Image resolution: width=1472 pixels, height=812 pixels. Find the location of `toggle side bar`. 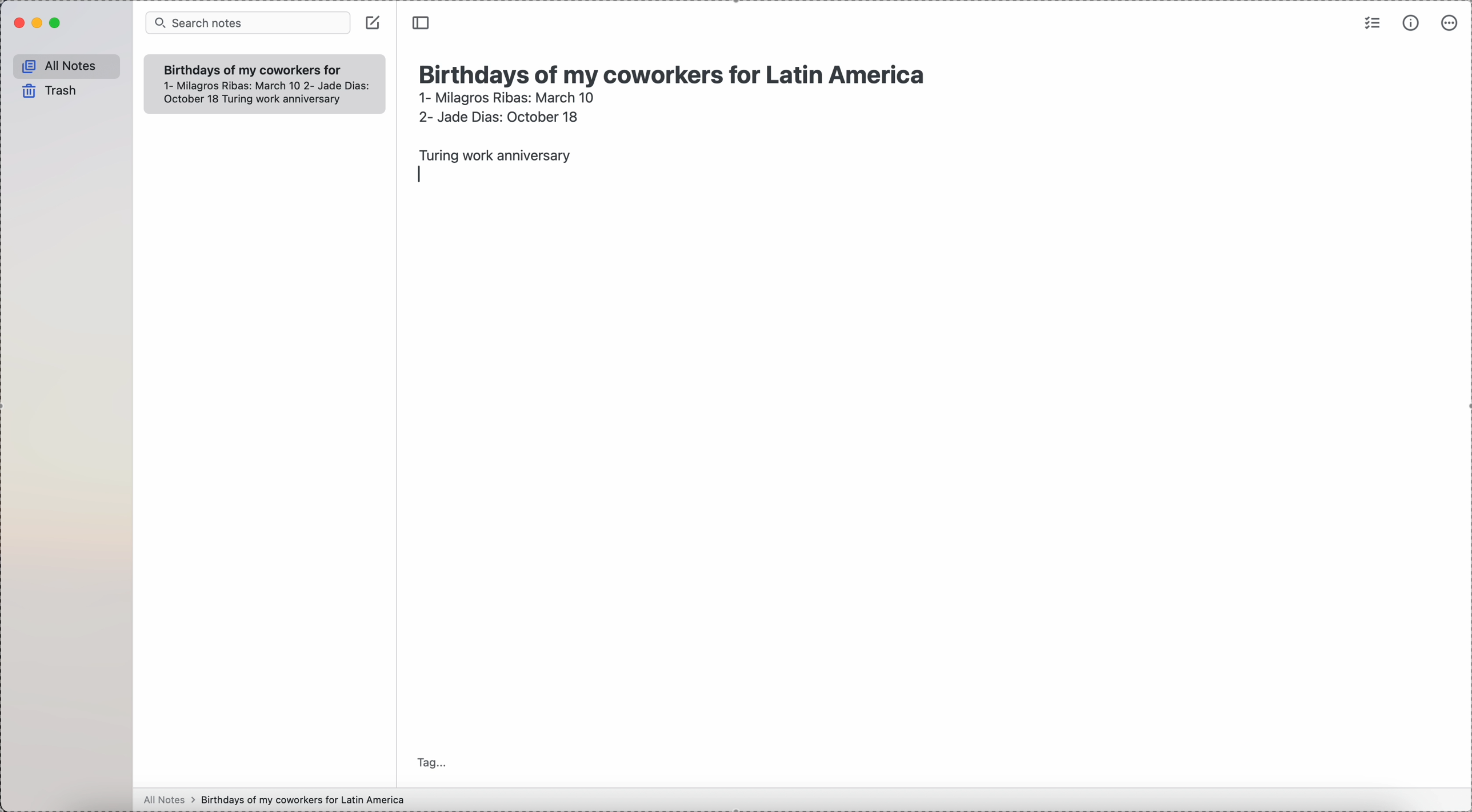

toggle side bar is located at coordinates (422, 23).